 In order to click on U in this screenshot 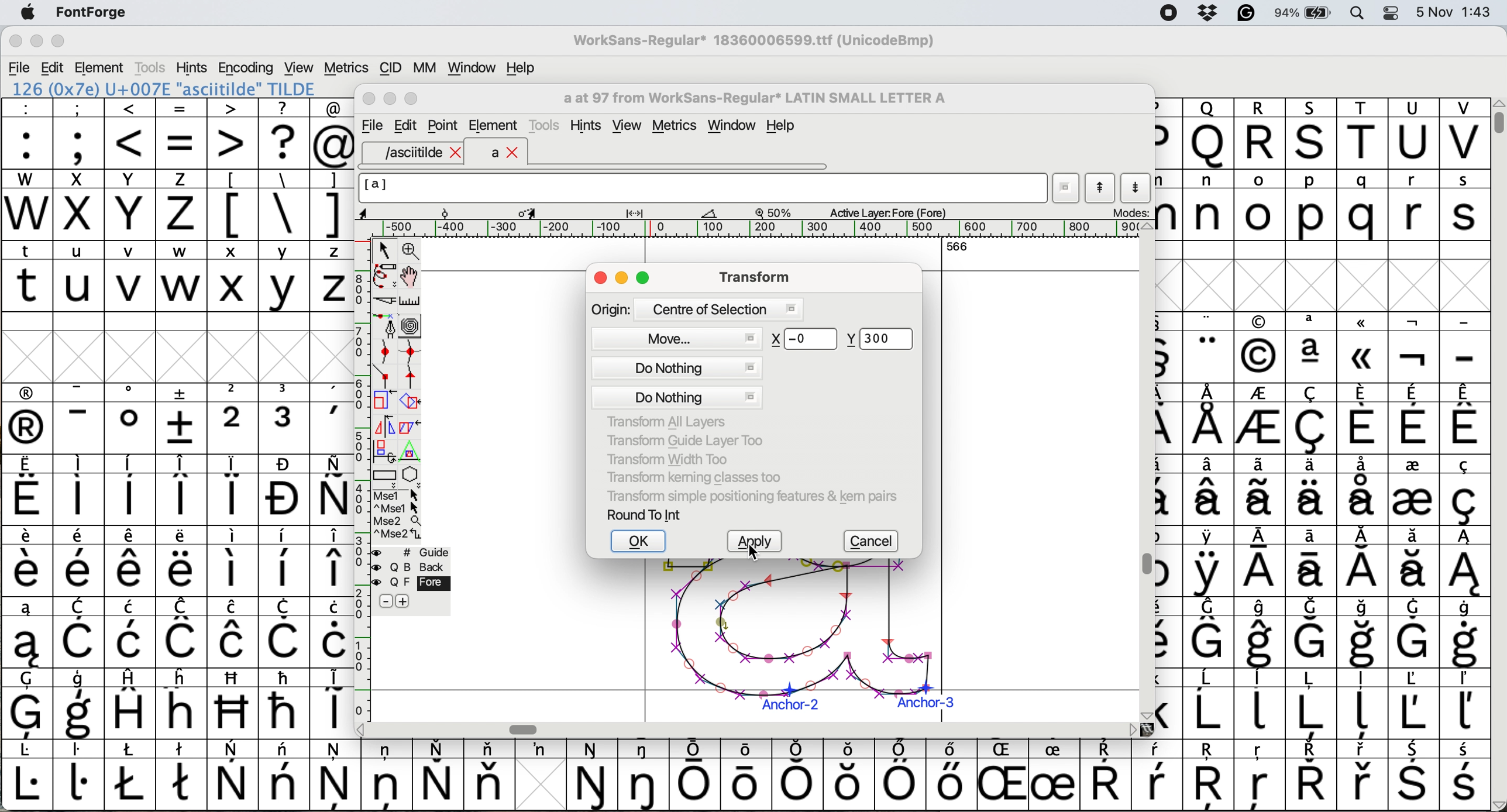, I will do `click(1413, 134)`.